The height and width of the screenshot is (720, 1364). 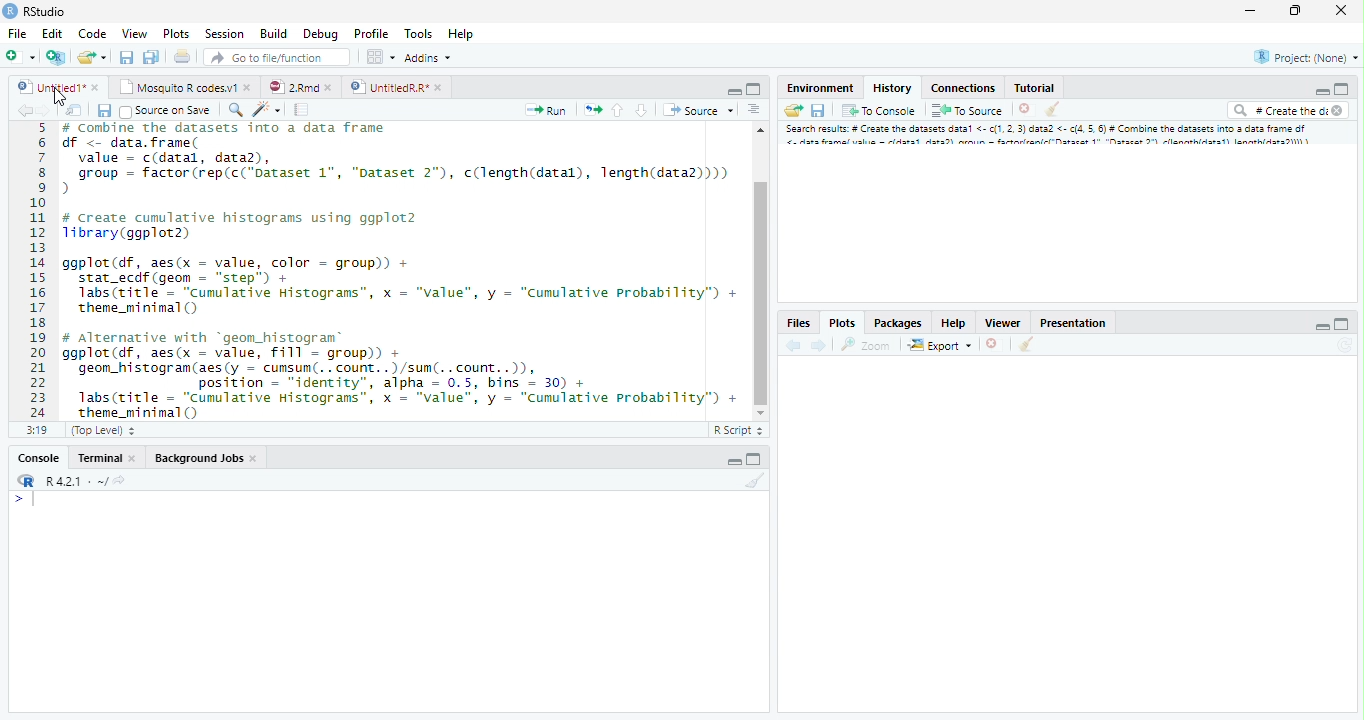 What do you see at coordinates (91, 35) in the screenshot?
I see `Code` at bounding box center [91, 35].